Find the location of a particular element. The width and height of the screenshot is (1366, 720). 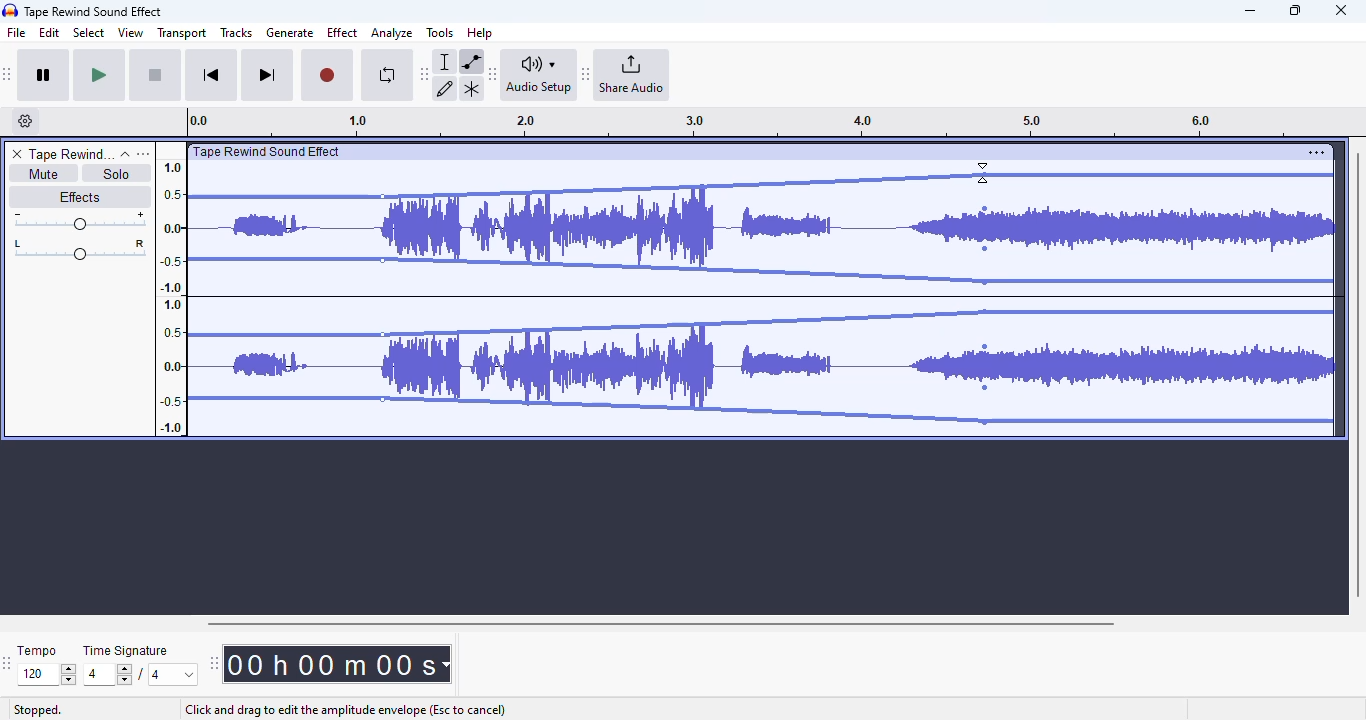

Control point is located at coordinates (985, 175).